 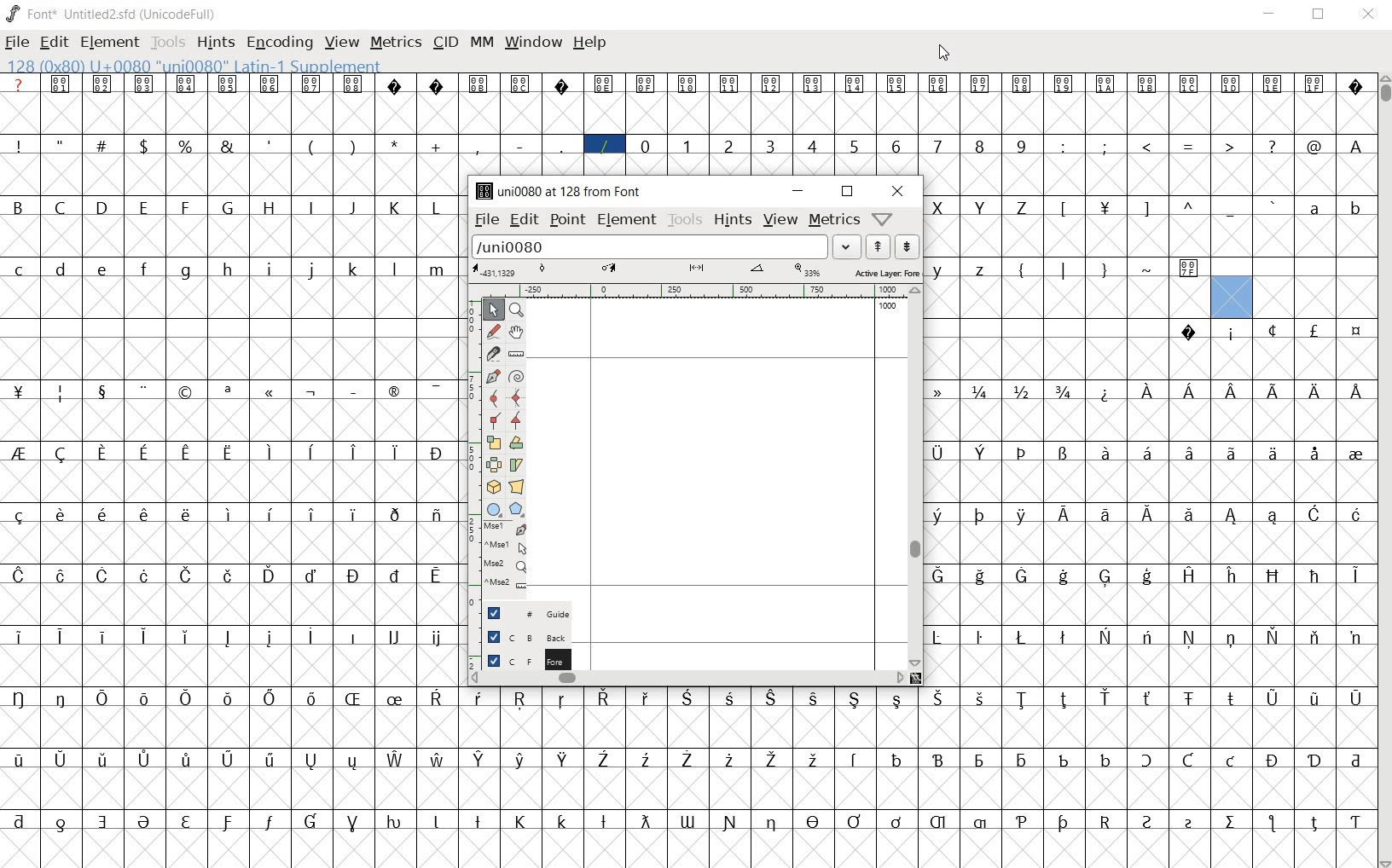 I want to click on HELP, so click(x=591, y=44).